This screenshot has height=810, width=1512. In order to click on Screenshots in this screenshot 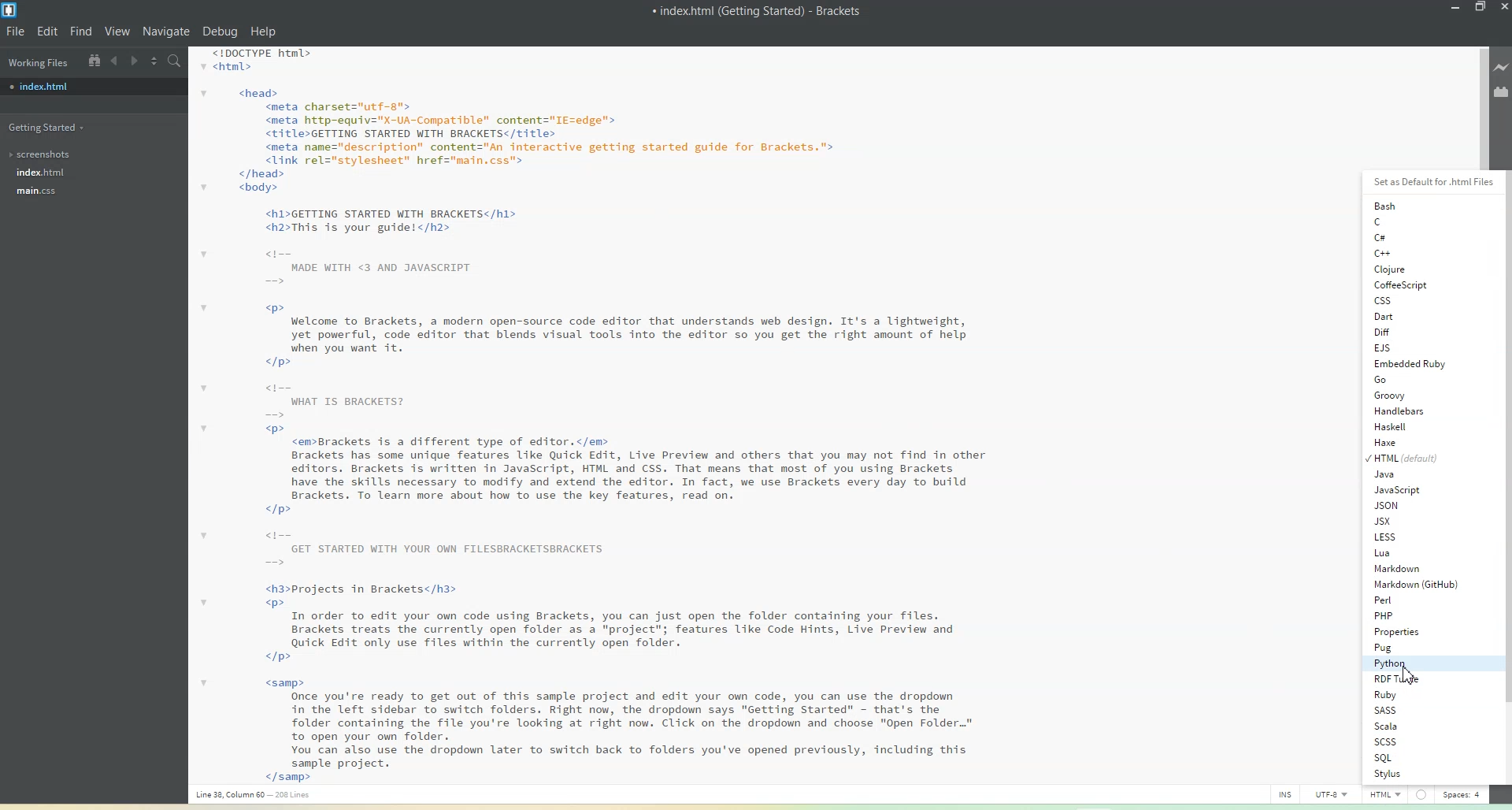, I will do `click(44, 154)`.